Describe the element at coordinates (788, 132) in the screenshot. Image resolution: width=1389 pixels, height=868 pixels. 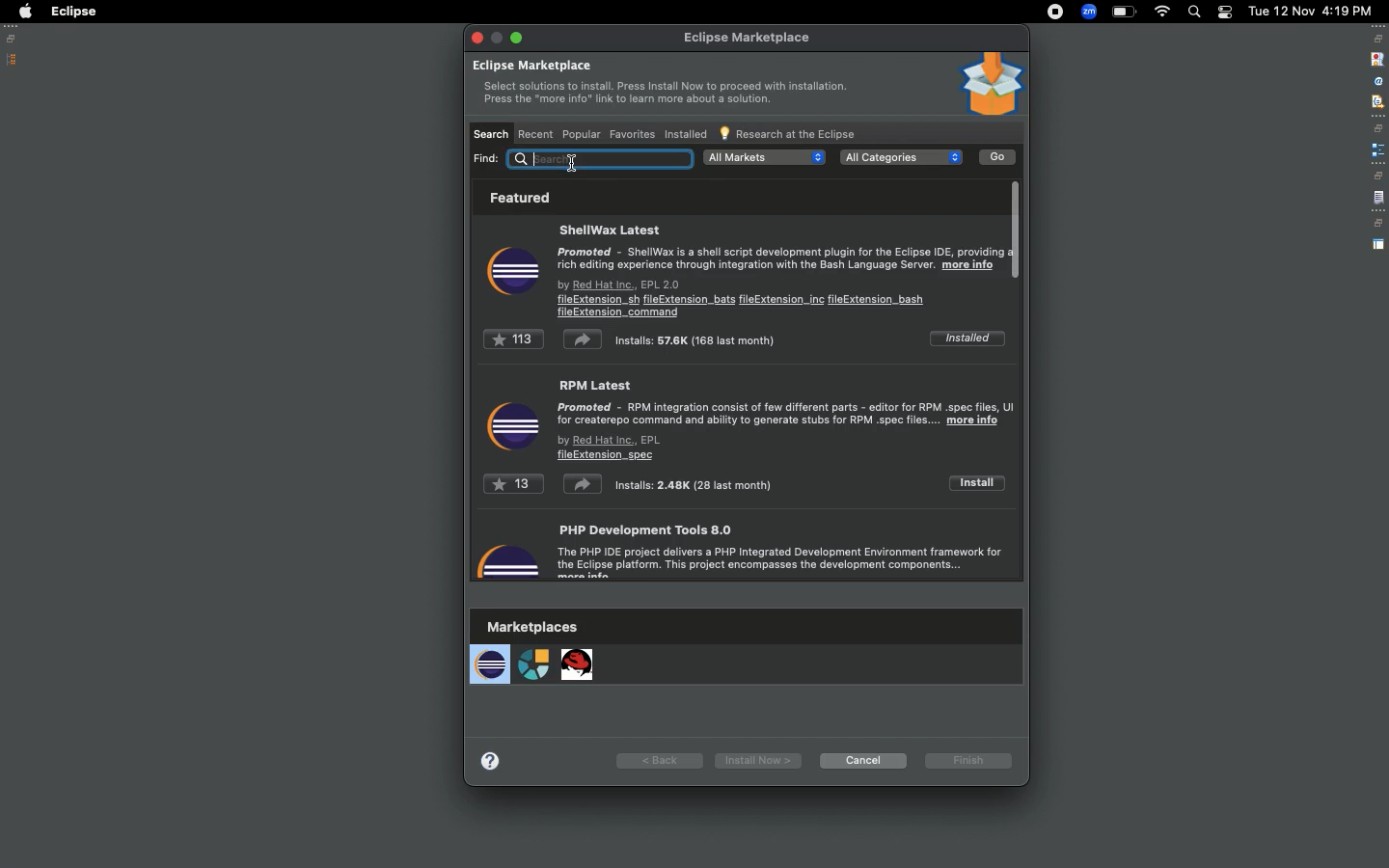
I see `Research at the Eclipse` at that location.